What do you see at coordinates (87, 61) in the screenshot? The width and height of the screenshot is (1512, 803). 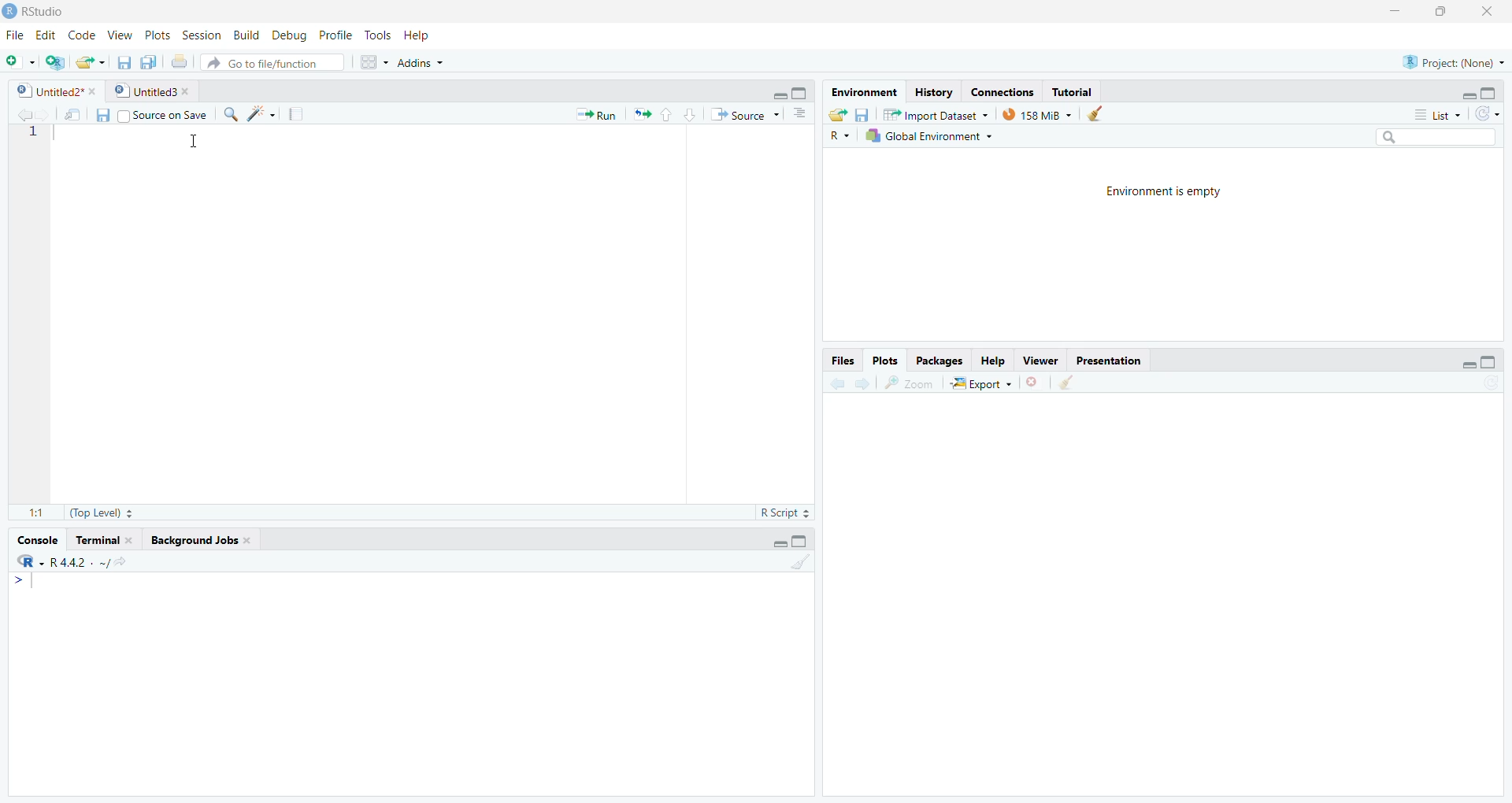 I see `open file` at bounding box center [87, 61].